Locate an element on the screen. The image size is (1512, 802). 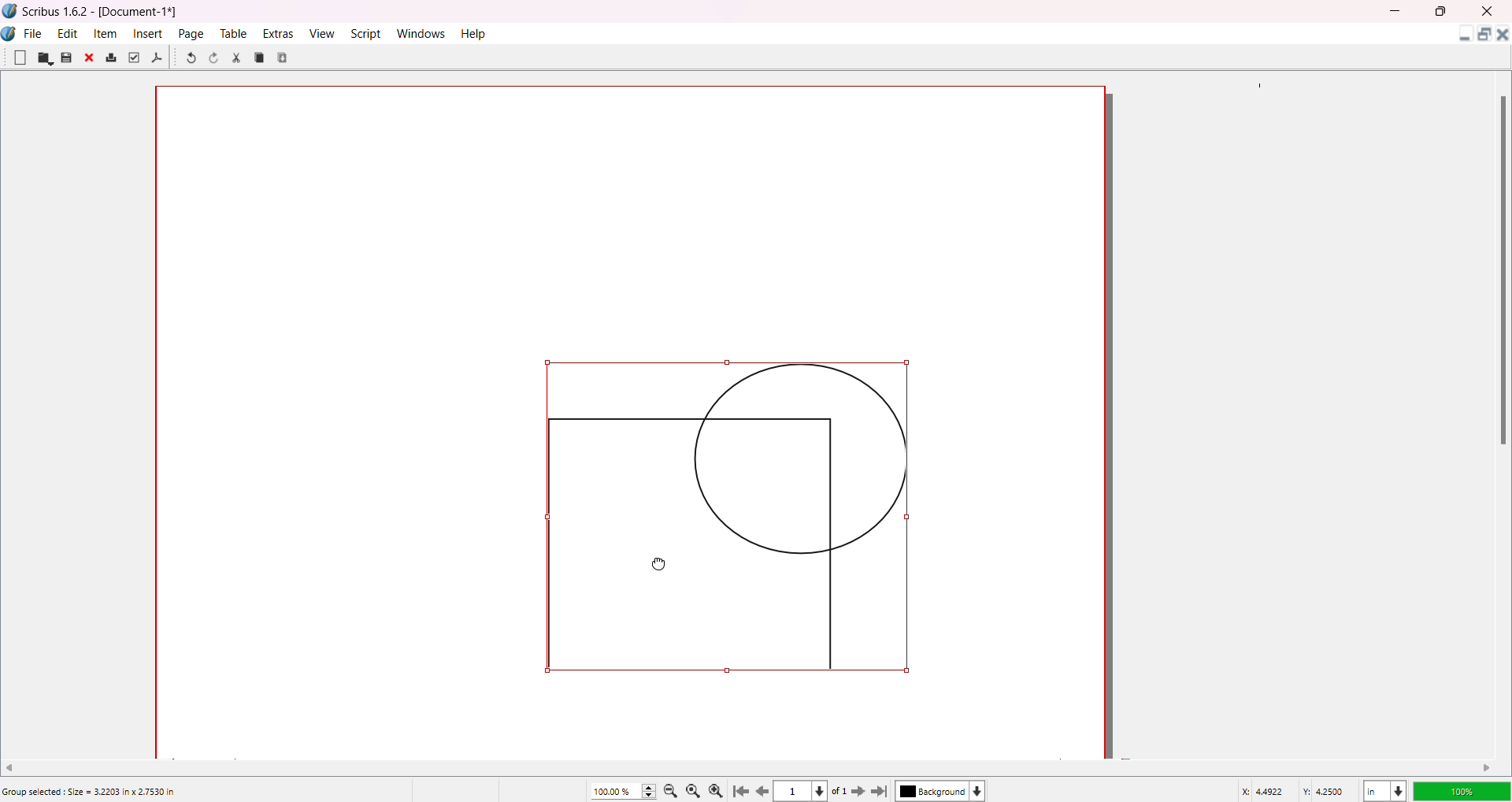
Zoom out is located at coordinates (673, 790).